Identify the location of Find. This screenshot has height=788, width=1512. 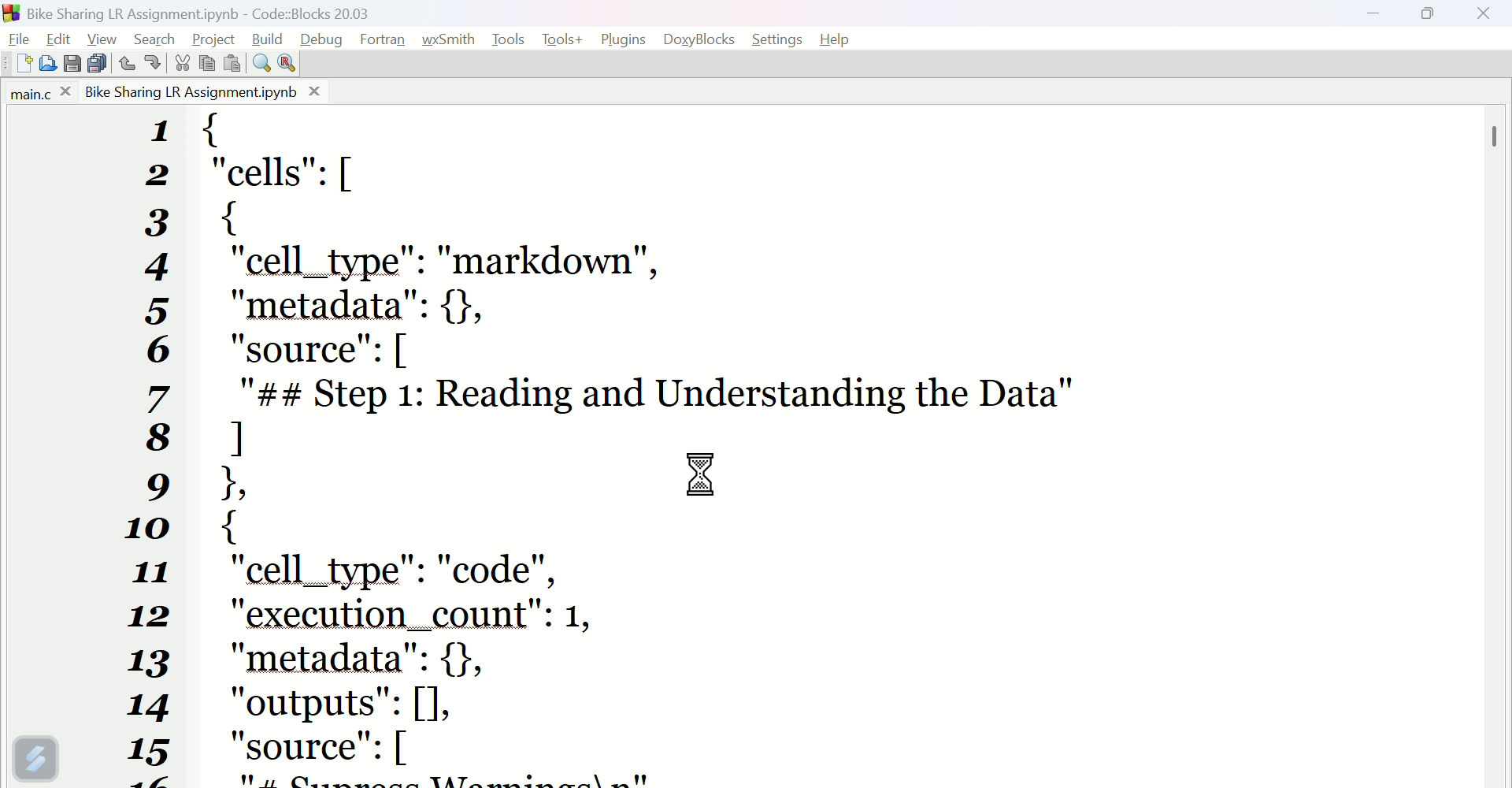
(258, 62).